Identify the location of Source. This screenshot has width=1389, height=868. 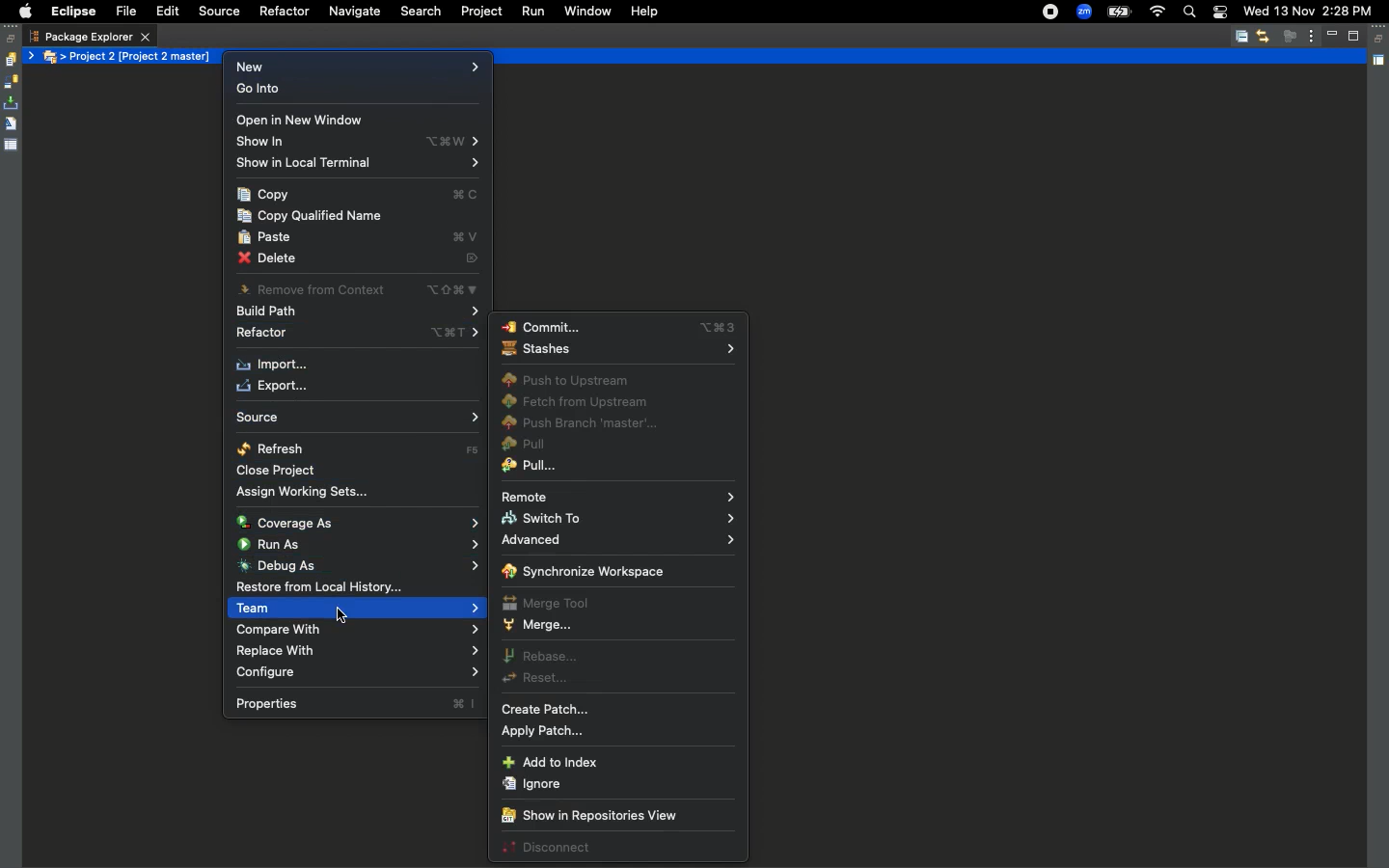
(216, 12).